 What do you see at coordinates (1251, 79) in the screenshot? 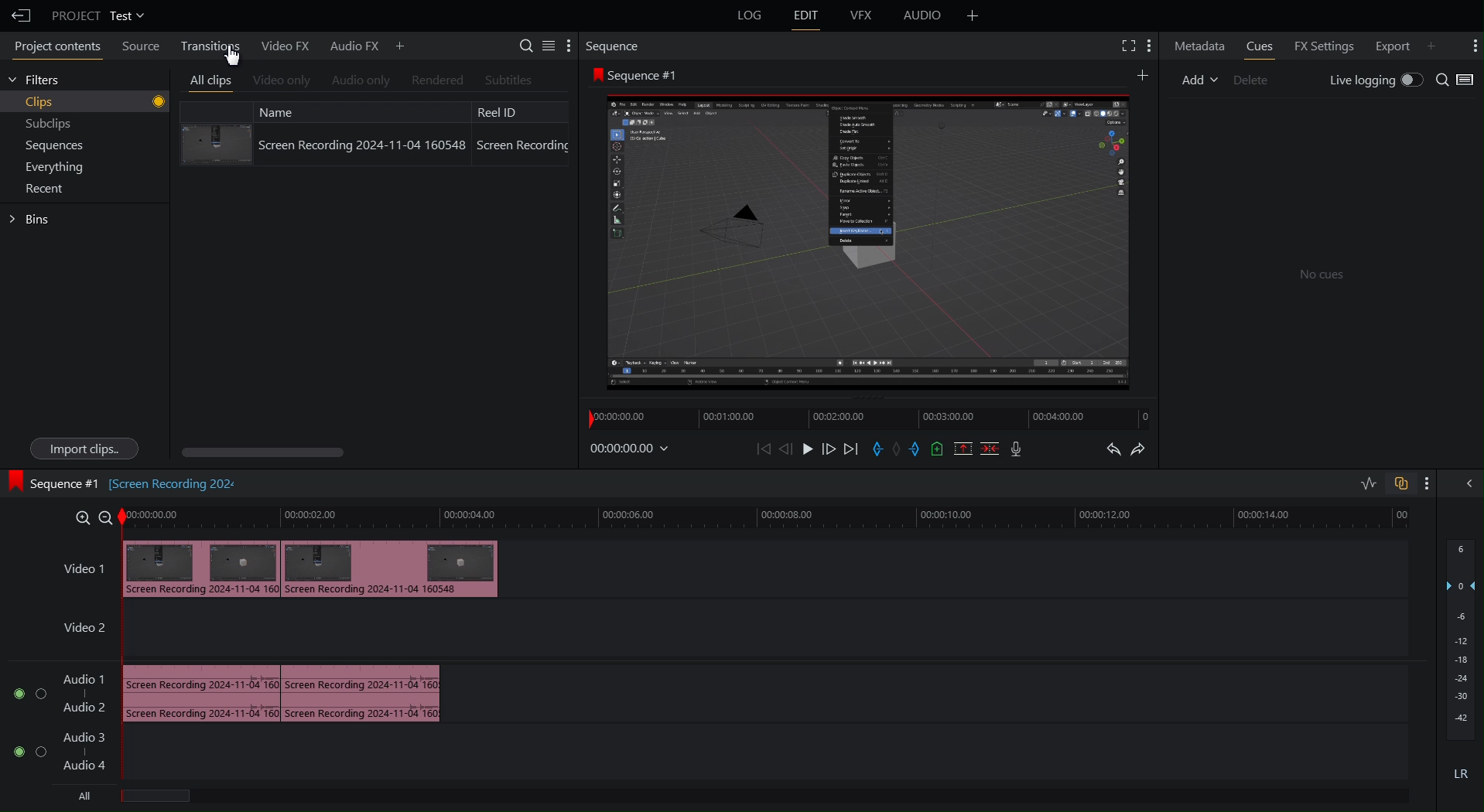
I see `Delete` at bounding box center [1251, 79].